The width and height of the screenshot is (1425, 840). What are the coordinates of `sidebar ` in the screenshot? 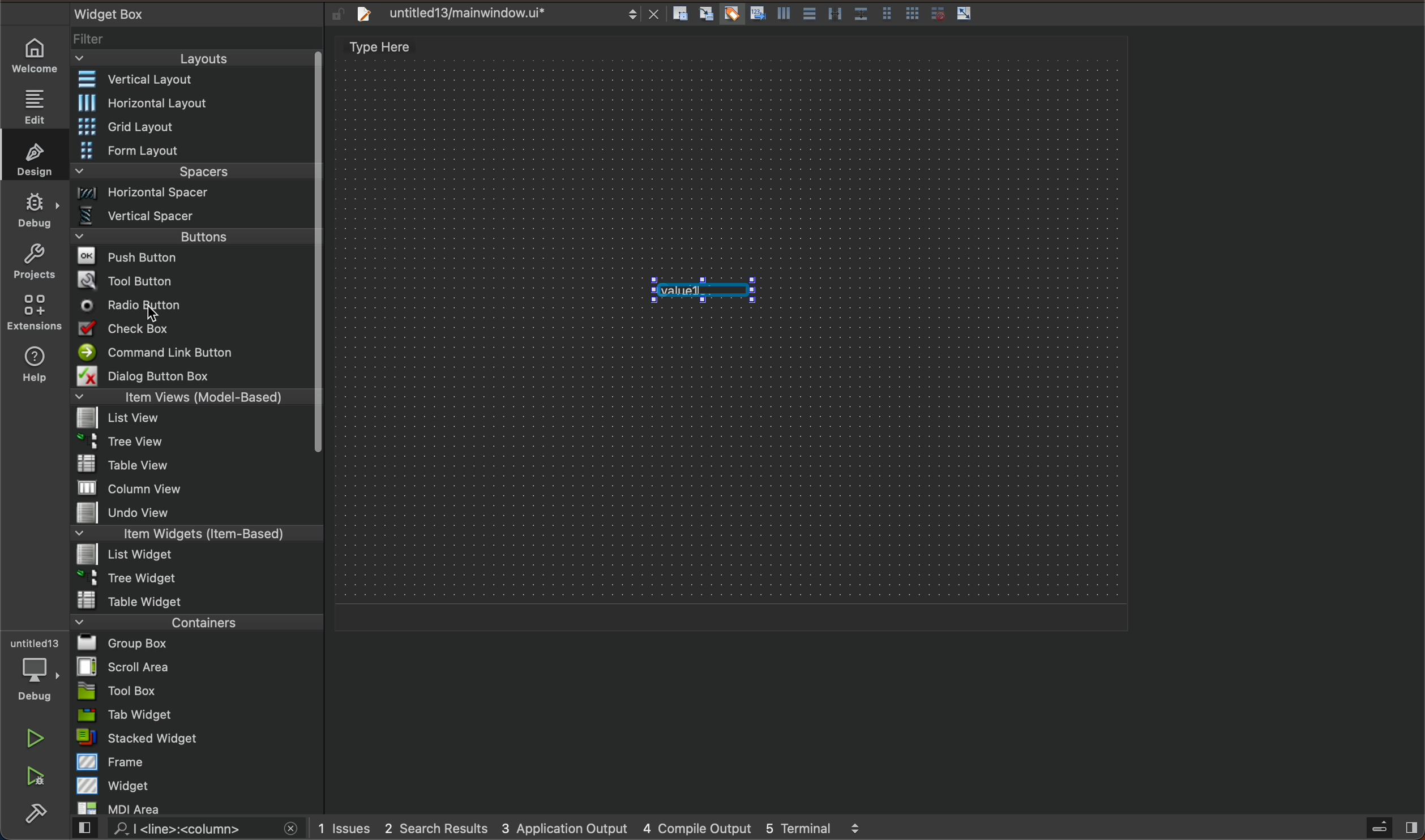 It's located at (1381, 828).